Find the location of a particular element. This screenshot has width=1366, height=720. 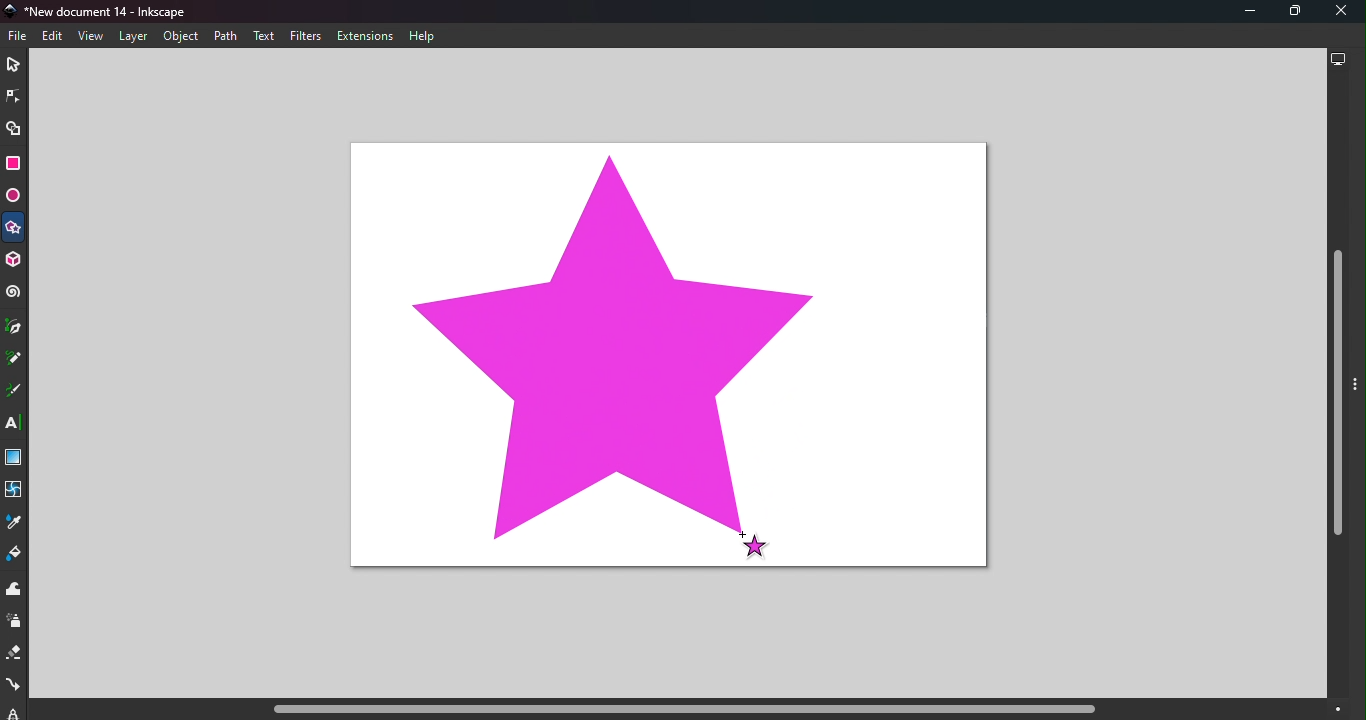

Eraser tool is located at coordinates (13, 657).